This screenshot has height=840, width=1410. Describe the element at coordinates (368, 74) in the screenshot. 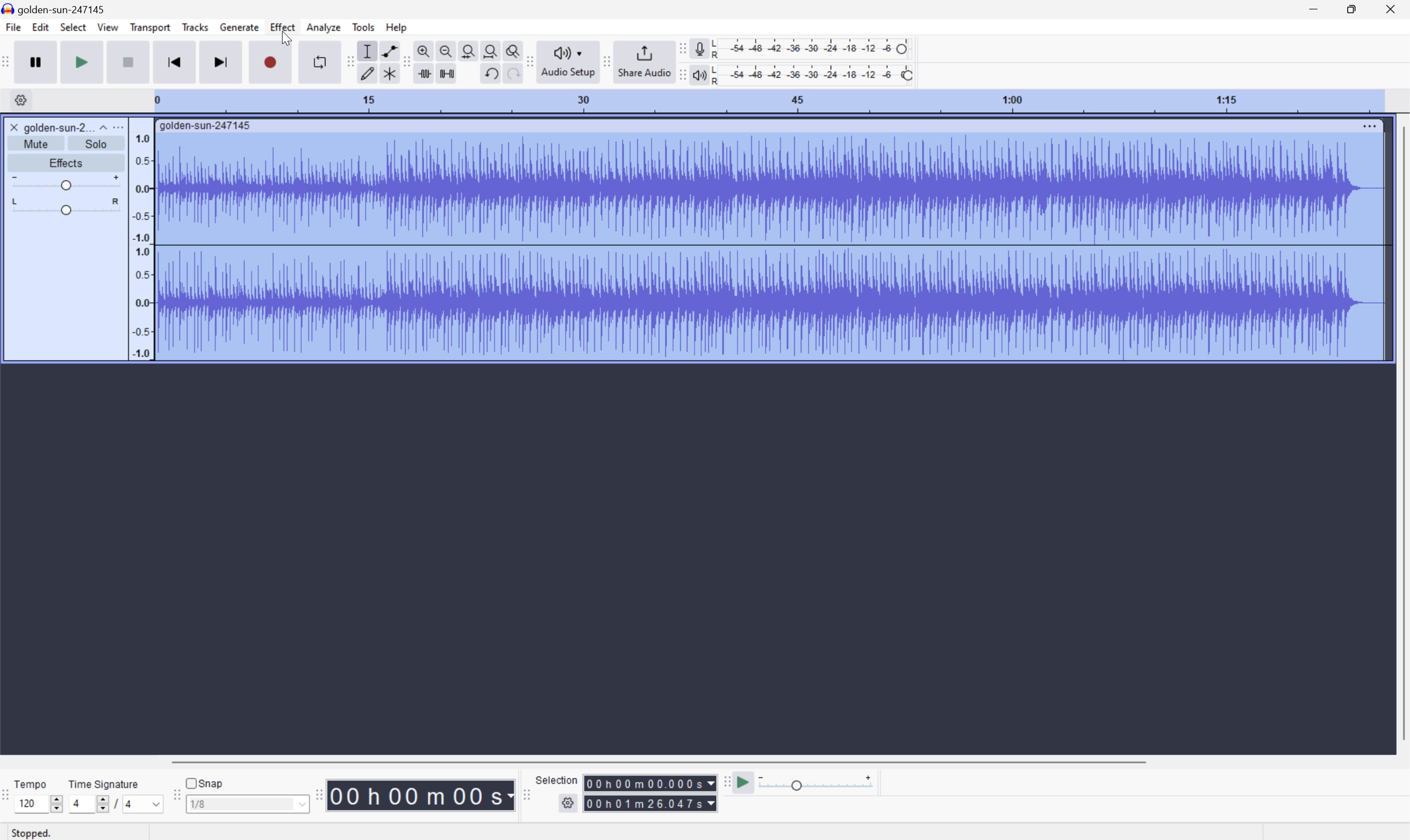

I see `Draw tool` at that location.